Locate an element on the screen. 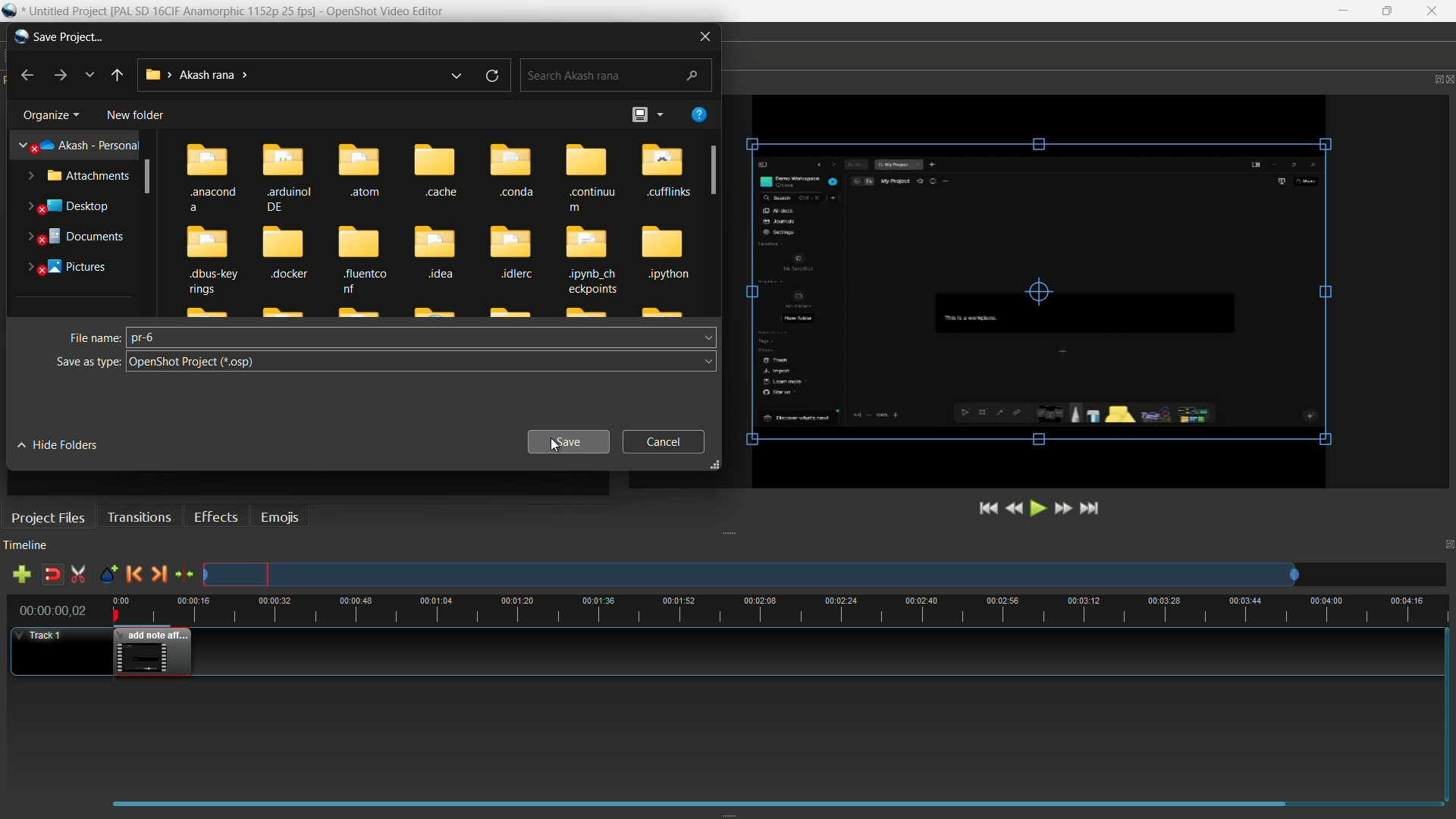 This screenshot has width=1456, height=819. timeline is located at coordinates (26, 545).